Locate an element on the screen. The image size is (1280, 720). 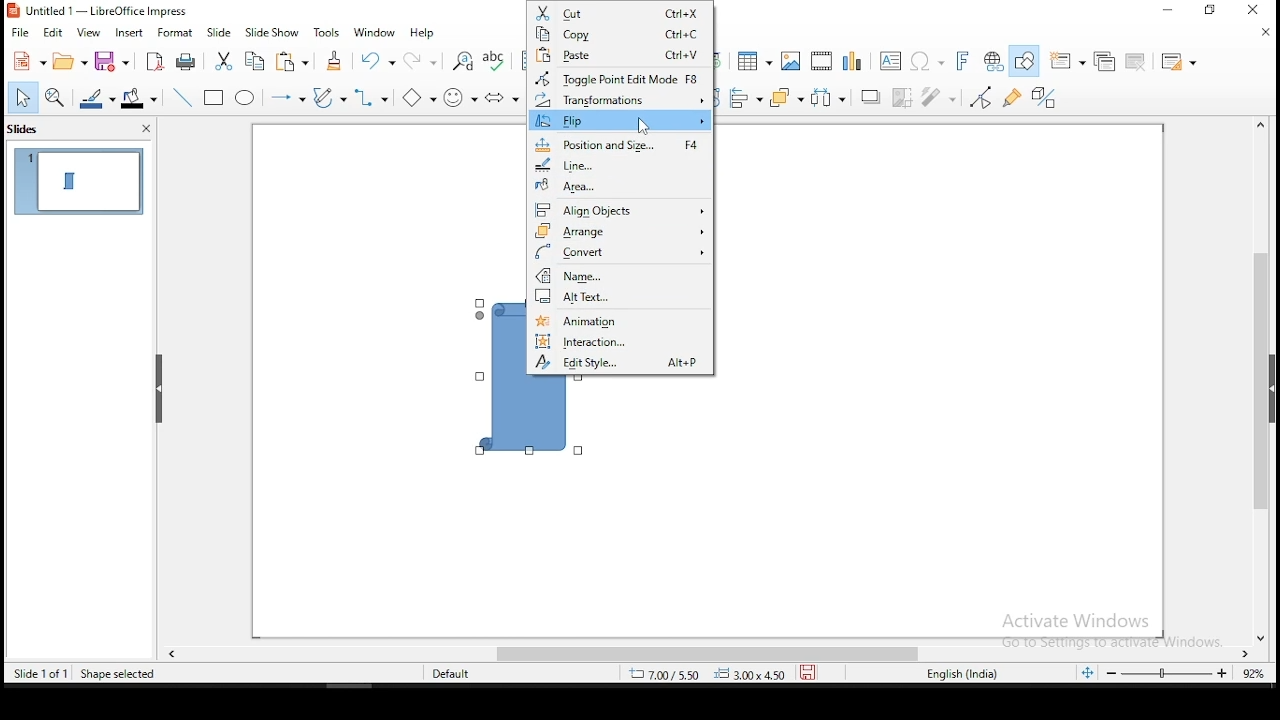
minimize is located at coordinates (1164, 13).